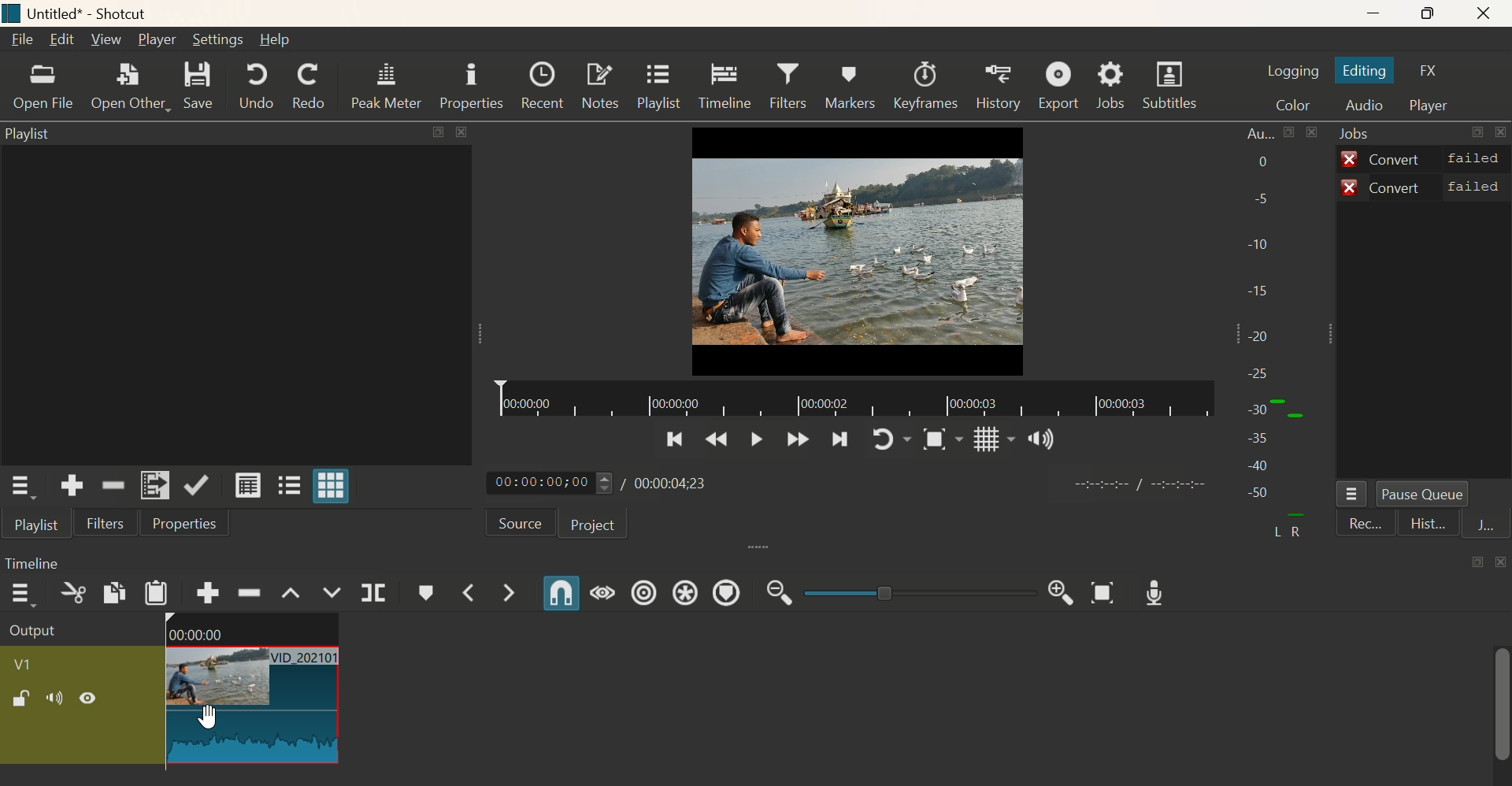 The height and width of the screenshot is (786, 1512). I want to click on Play/Pause, so click(752, 444).